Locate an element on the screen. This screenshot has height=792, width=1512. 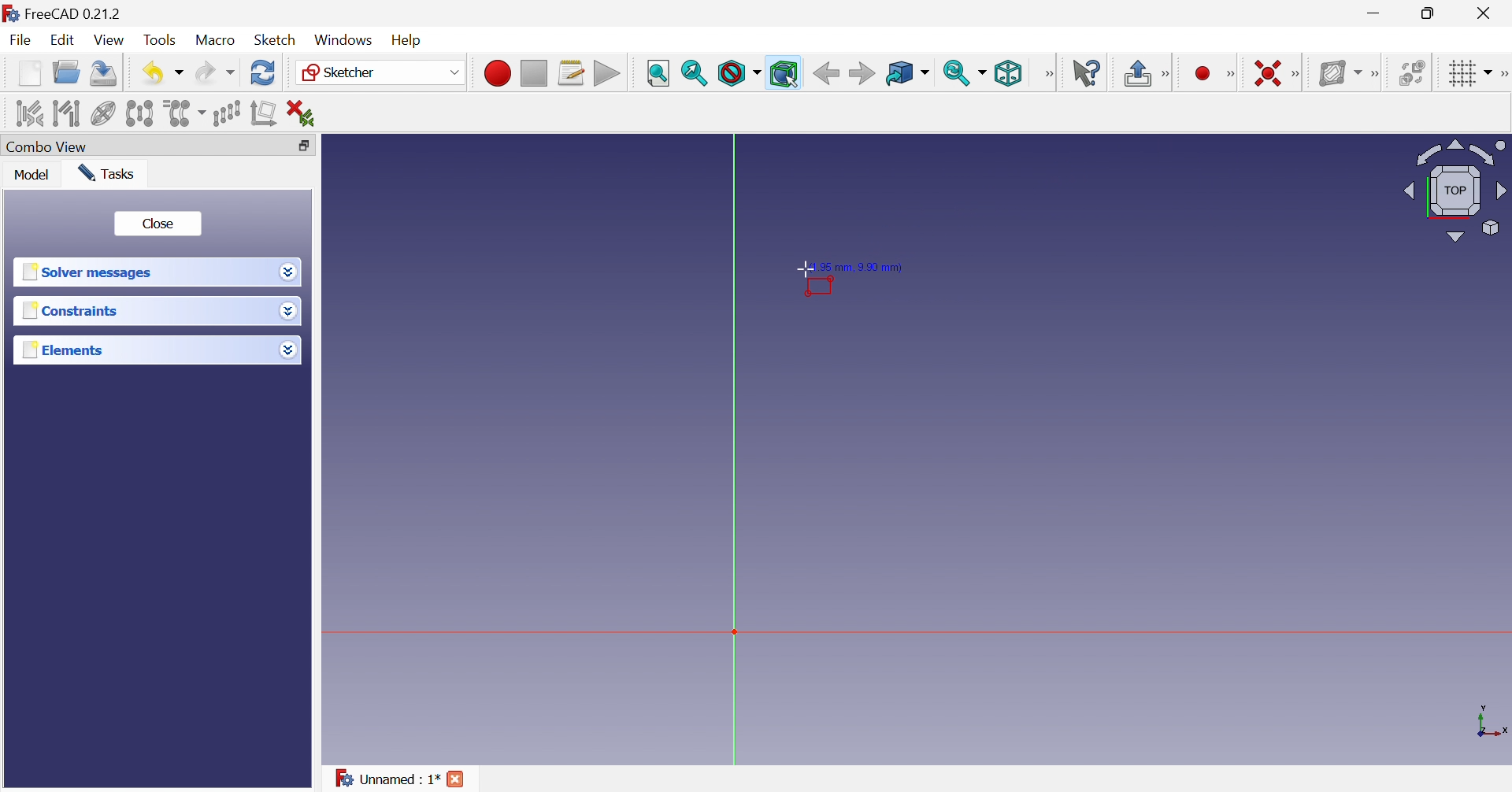
Back is located at coordinates (826, 74).